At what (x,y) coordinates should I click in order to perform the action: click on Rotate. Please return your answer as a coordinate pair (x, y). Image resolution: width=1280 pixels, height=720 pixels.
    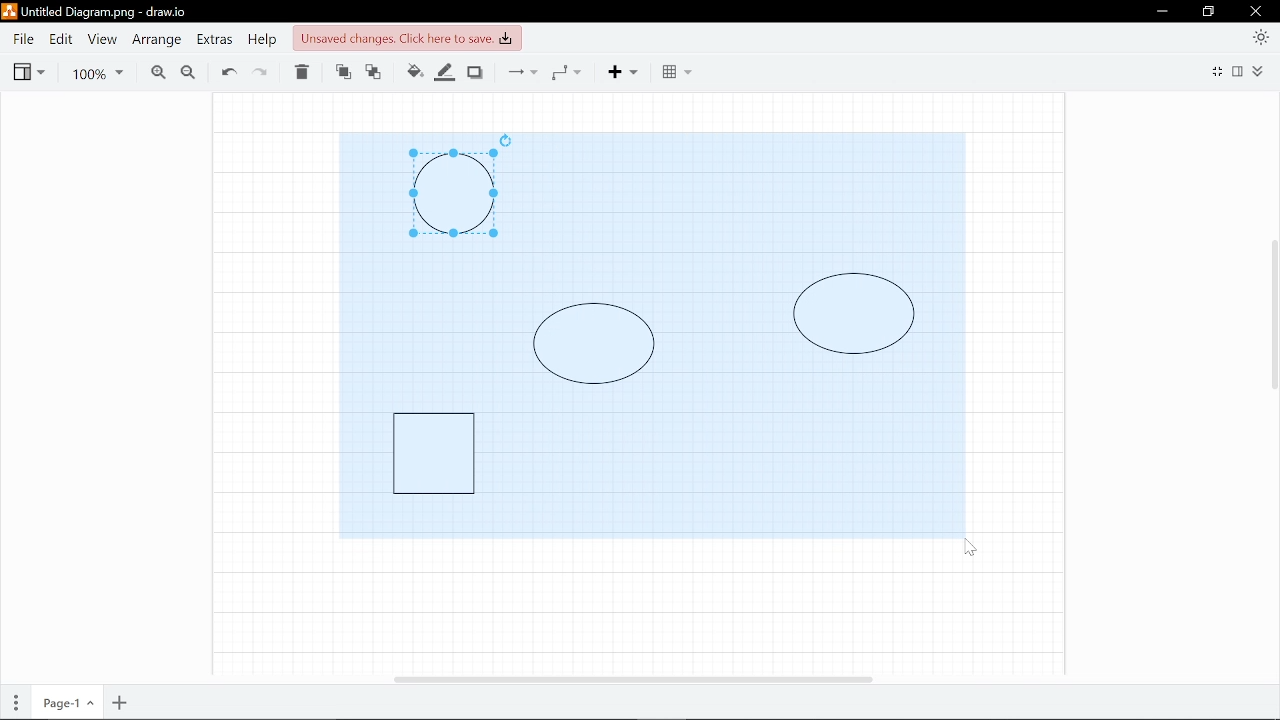
    Looking at the image, I should click on (506, 140).